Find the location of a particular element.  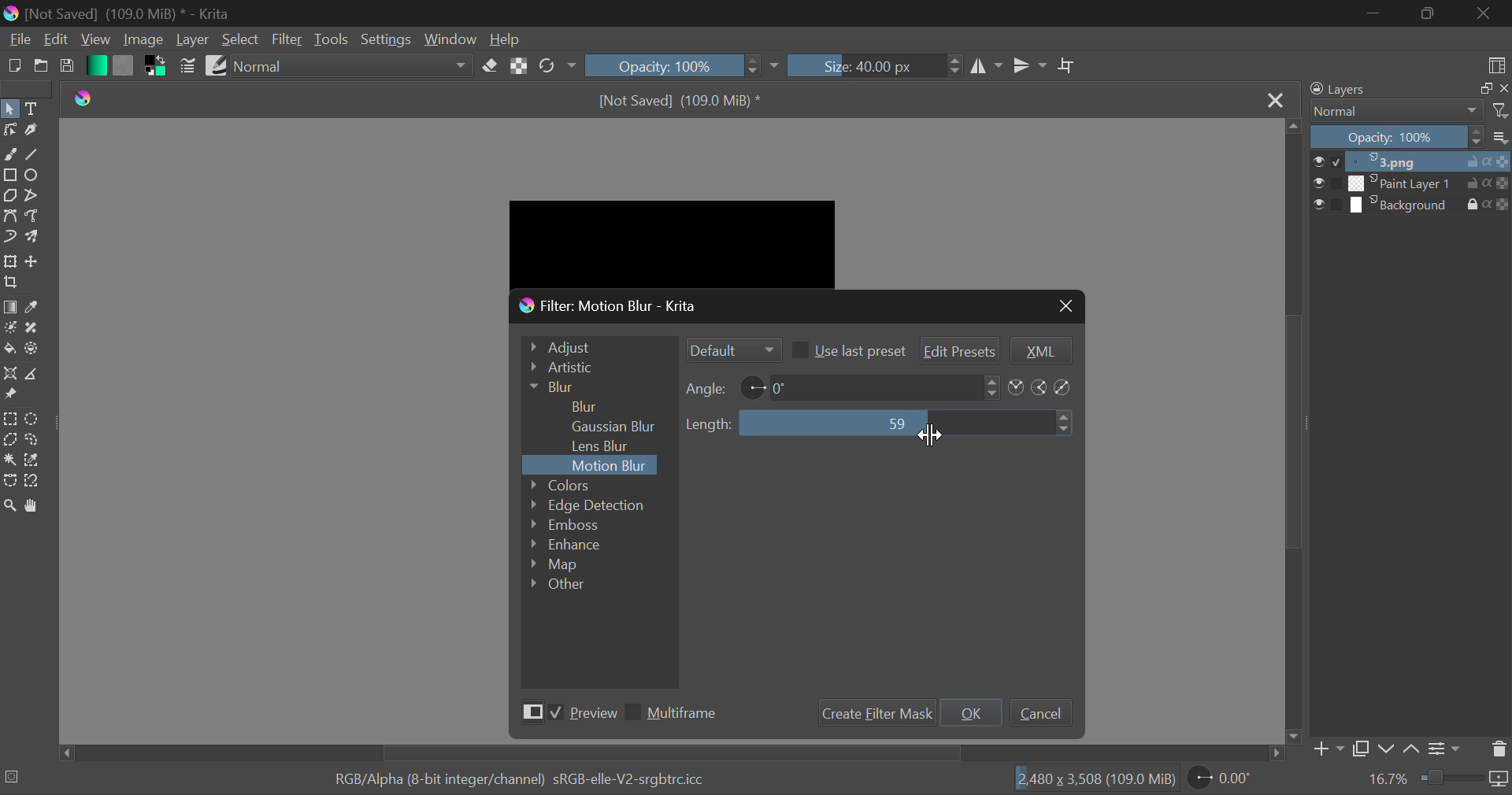

Multibrush is located at coordinates (35, 238).